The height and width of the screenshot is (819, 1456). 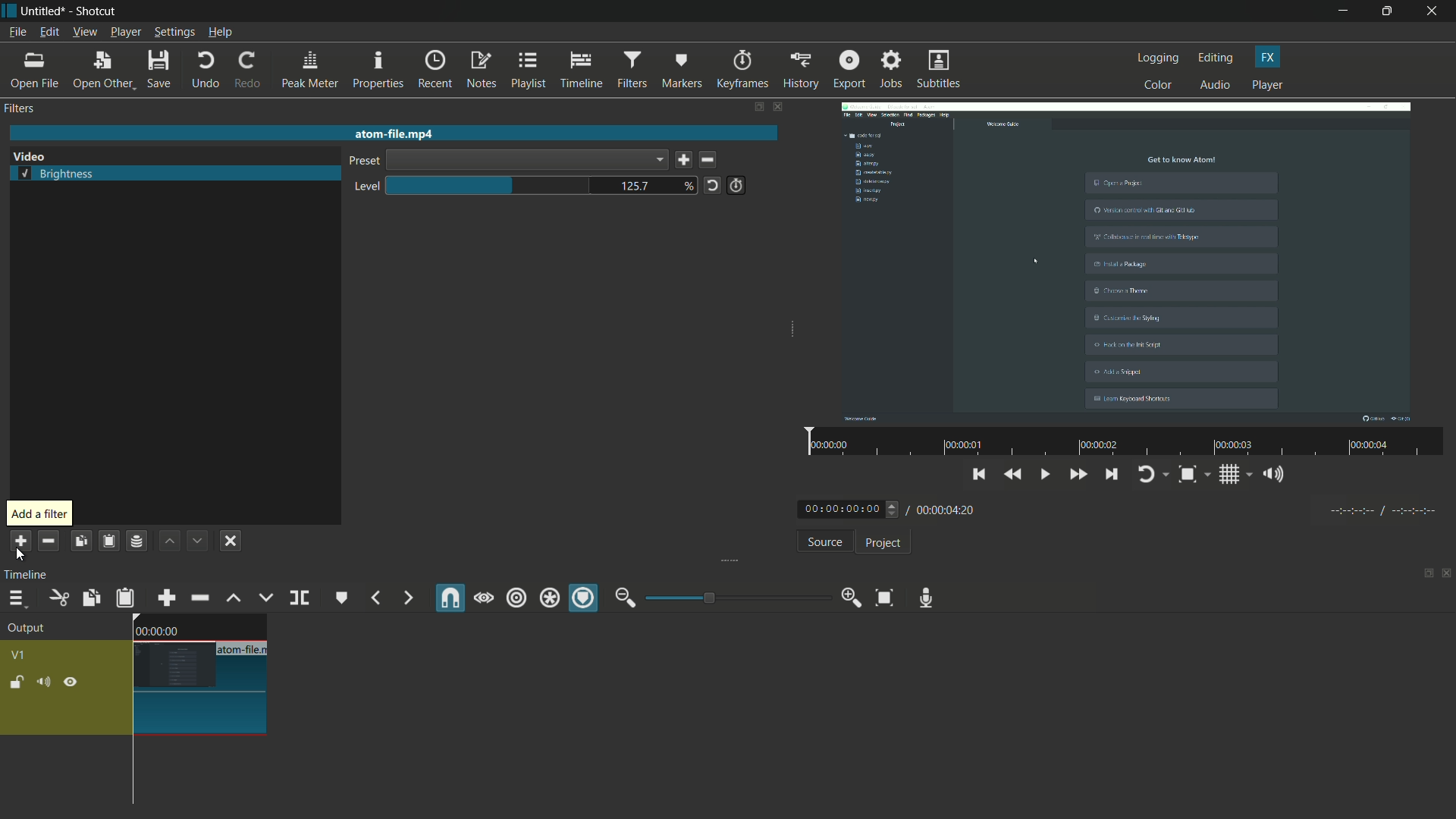 What do you see at coordinates (979, 472) in the screenshot?
I see `skip to the previous point` at bounding box center [979, 472].